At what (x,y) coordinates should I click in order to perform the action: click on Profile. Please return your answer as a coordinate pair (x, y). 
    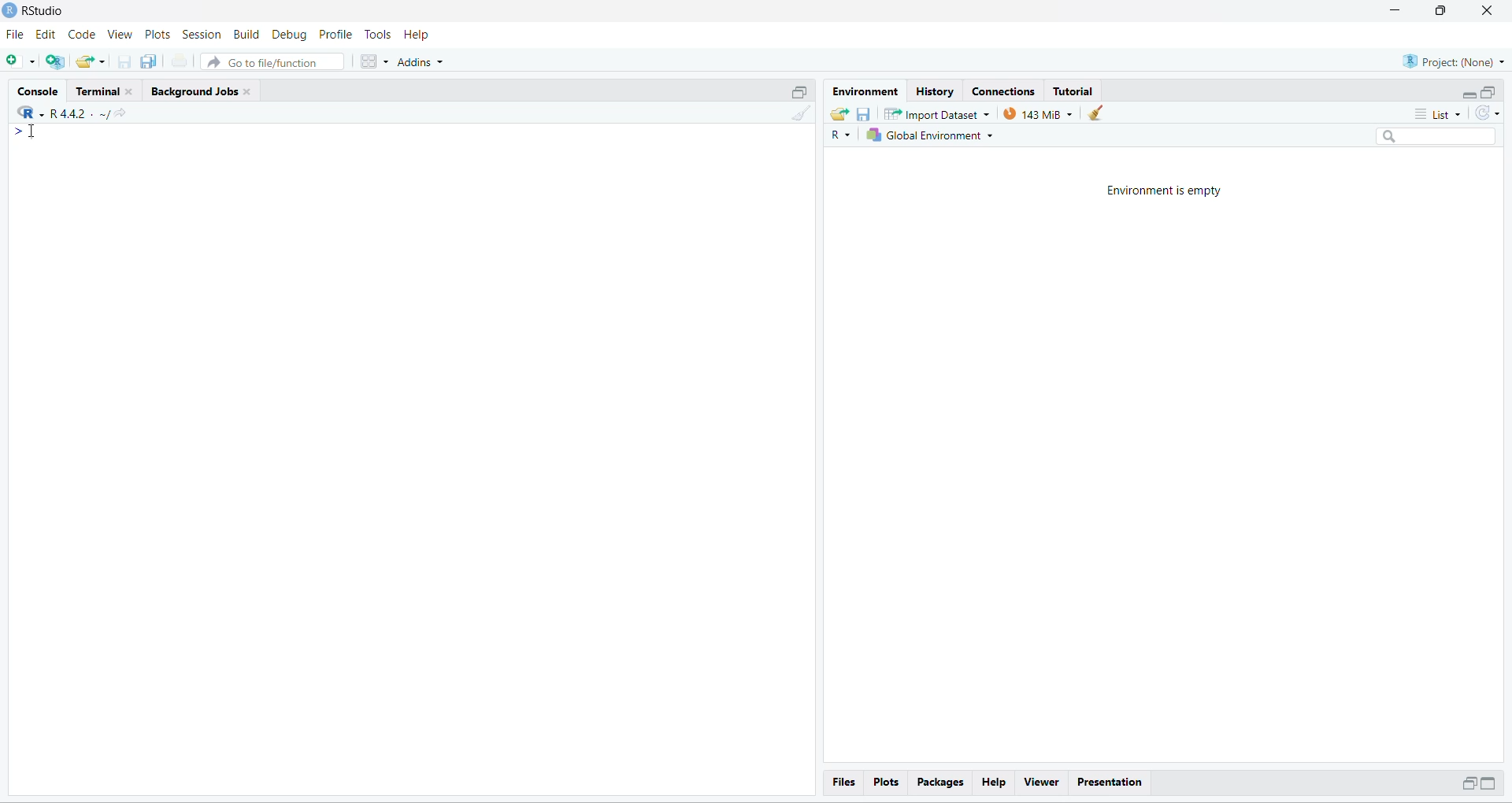
    Looking at the image, I should click on (335, 34).